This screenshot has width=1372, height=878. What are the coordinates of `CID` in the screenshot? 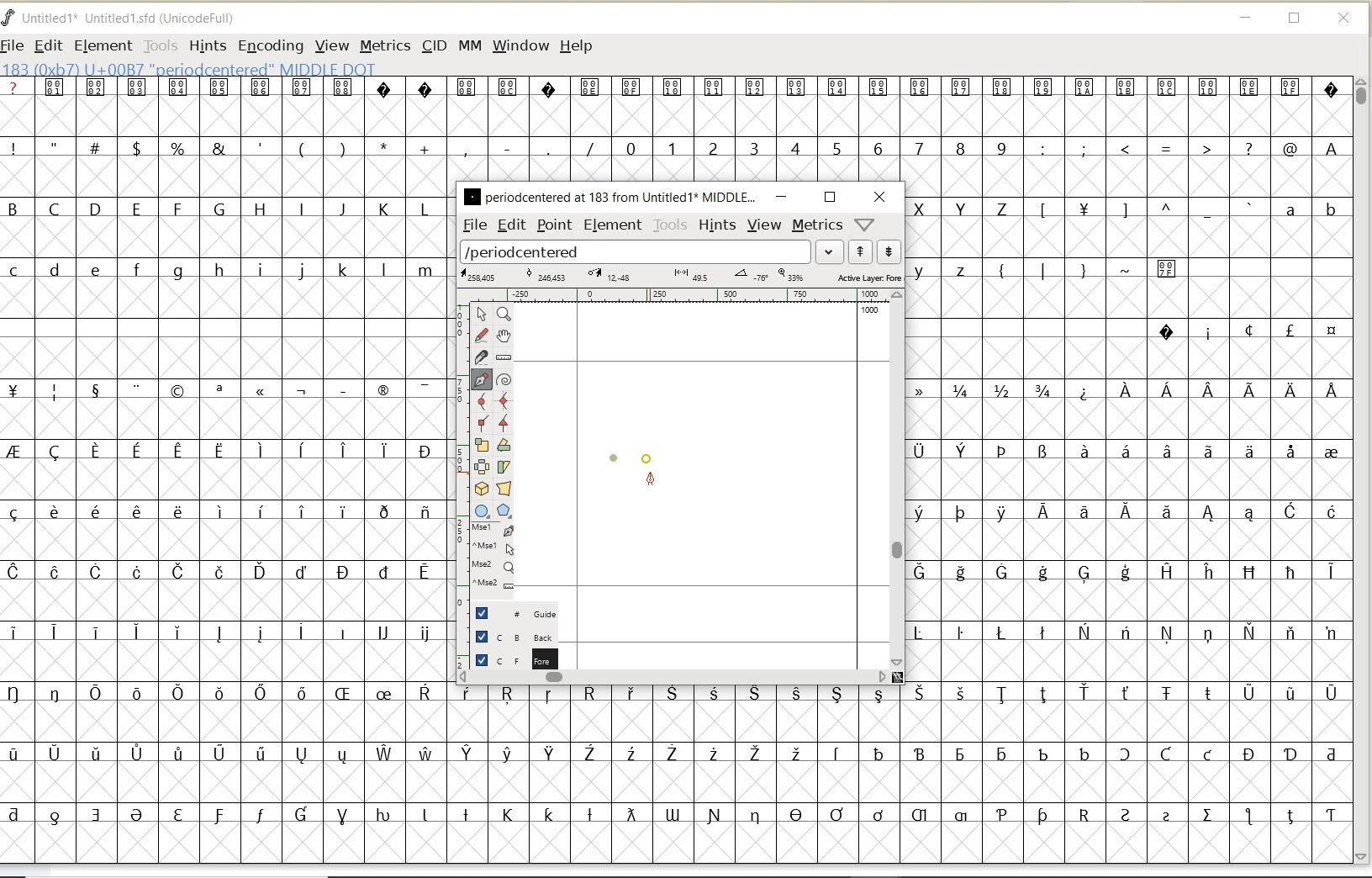 It's located at (434, 48).